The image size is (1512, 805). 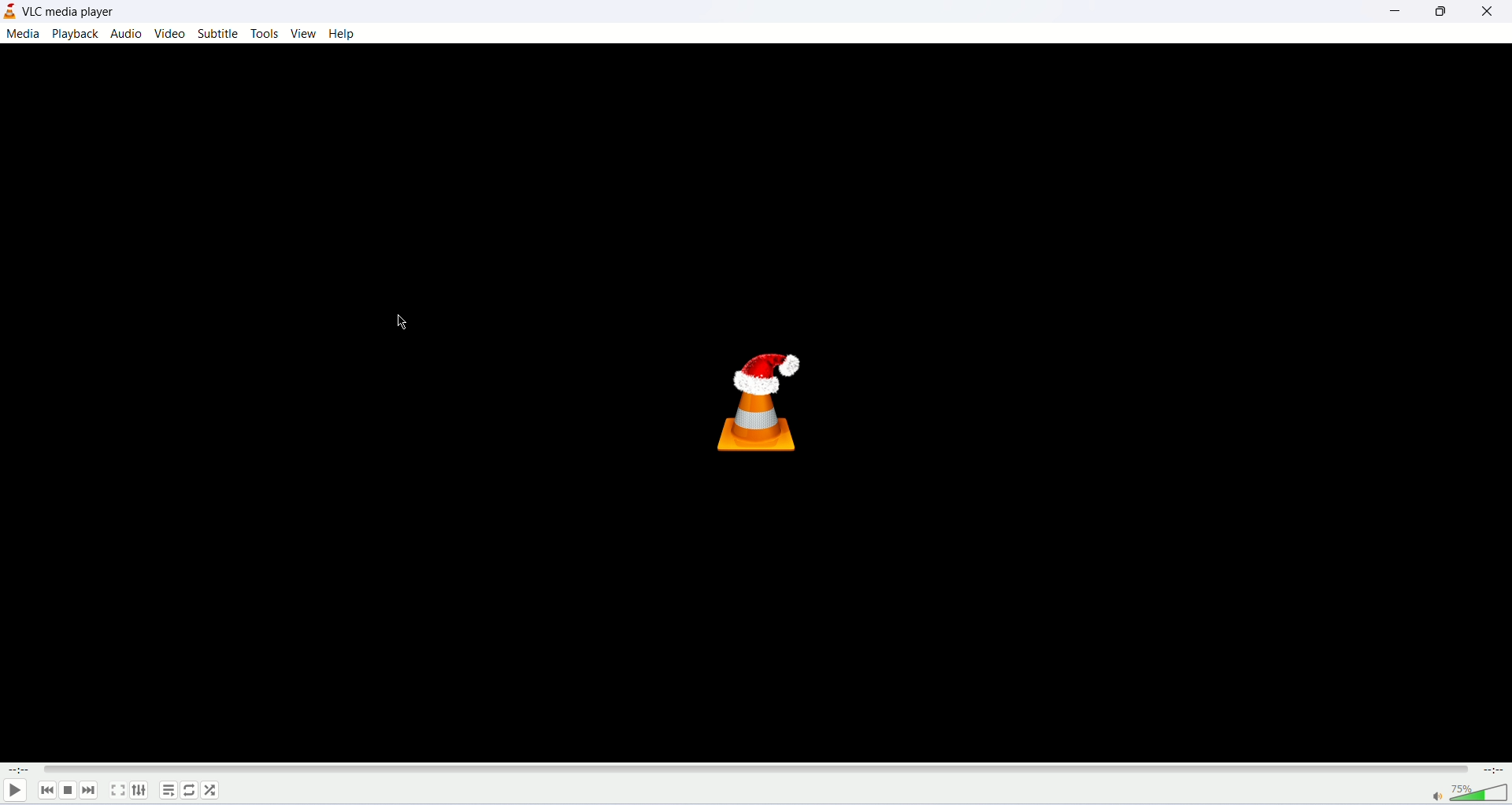 I want to click on subtitle, so click(x=220, y=33).